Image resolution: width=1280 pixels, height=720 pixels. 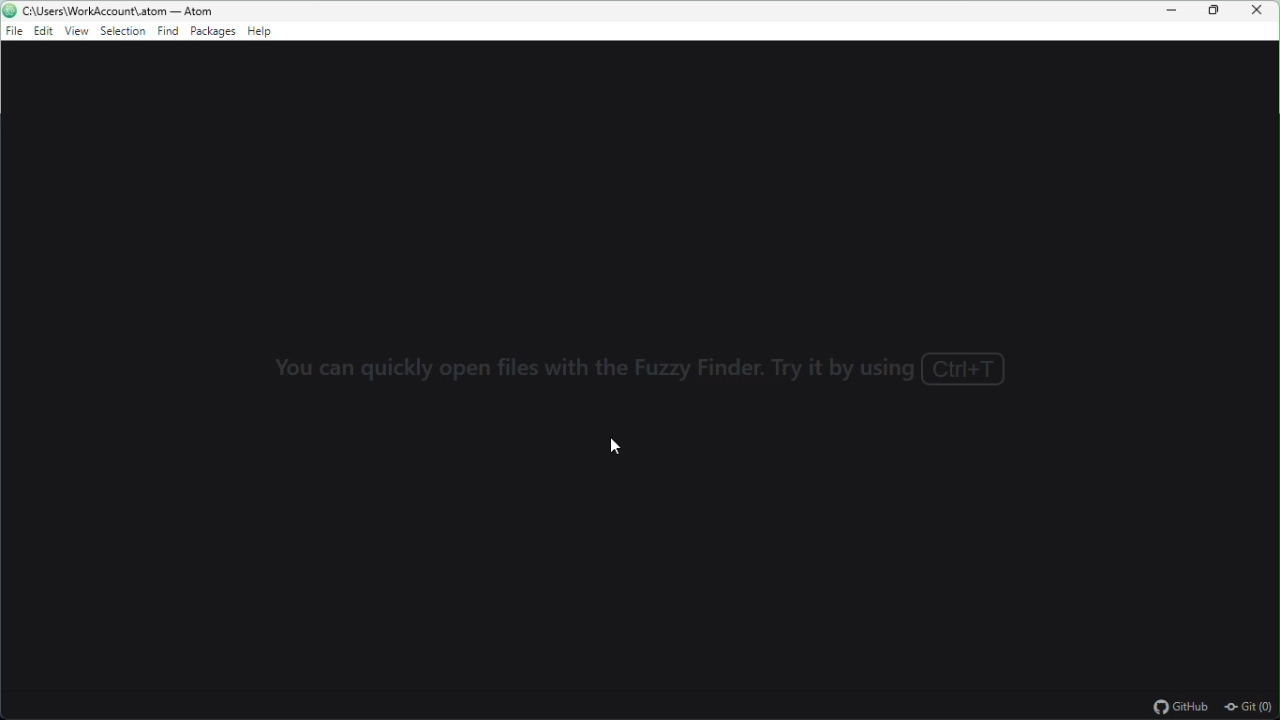 What do you see at coordinates (643, 369) in the screenshot?
I see `You can quickly open files with the fuzzy finder` at bounding box center [643, 369].